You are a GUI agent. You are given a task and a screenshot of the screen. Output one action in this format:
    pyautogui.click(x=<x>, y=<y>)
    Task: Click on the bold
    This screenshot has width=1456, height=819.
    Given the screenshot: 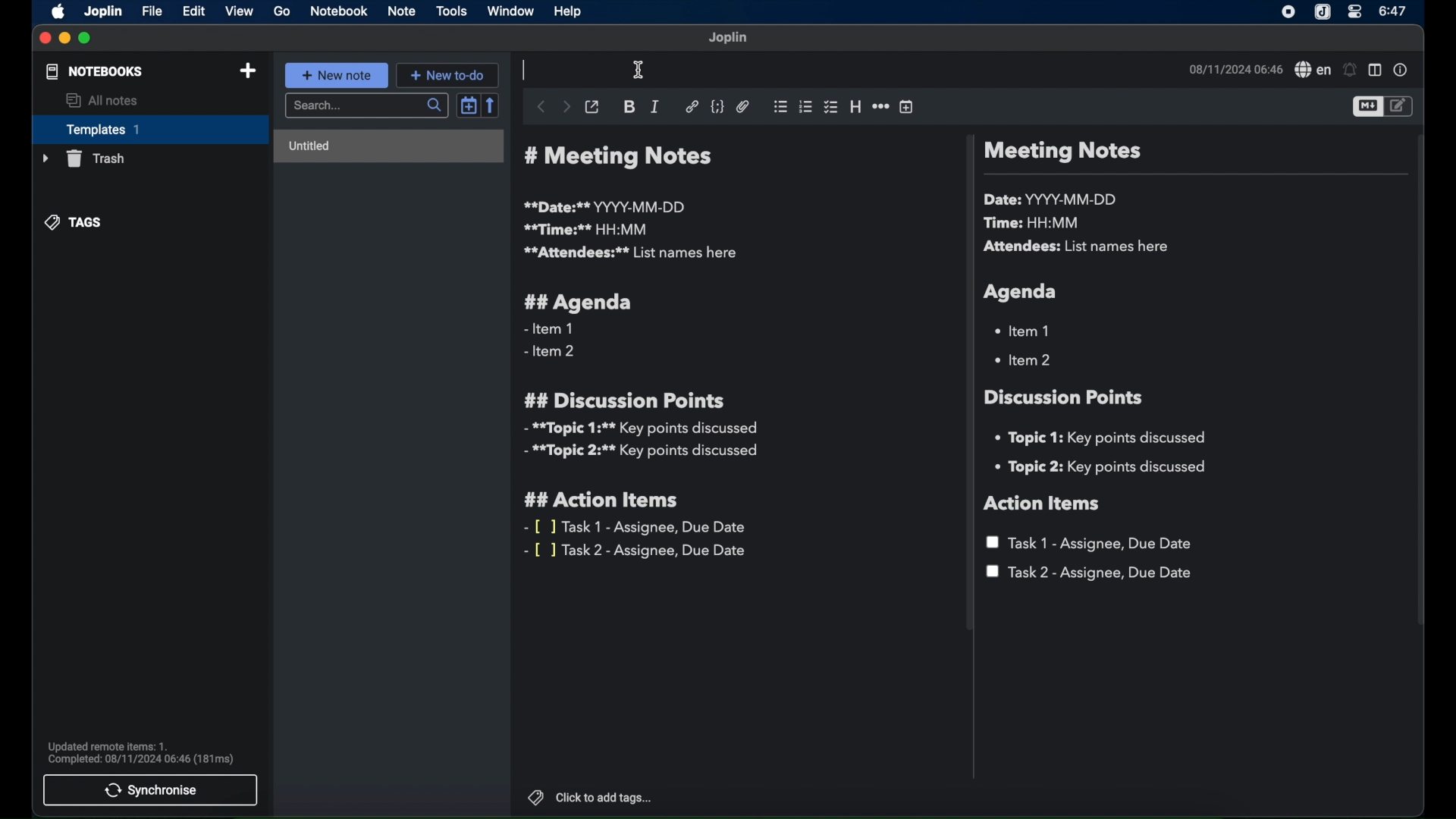 What is the action you would take?
    pyautogui.click(x=629, y=108)
    